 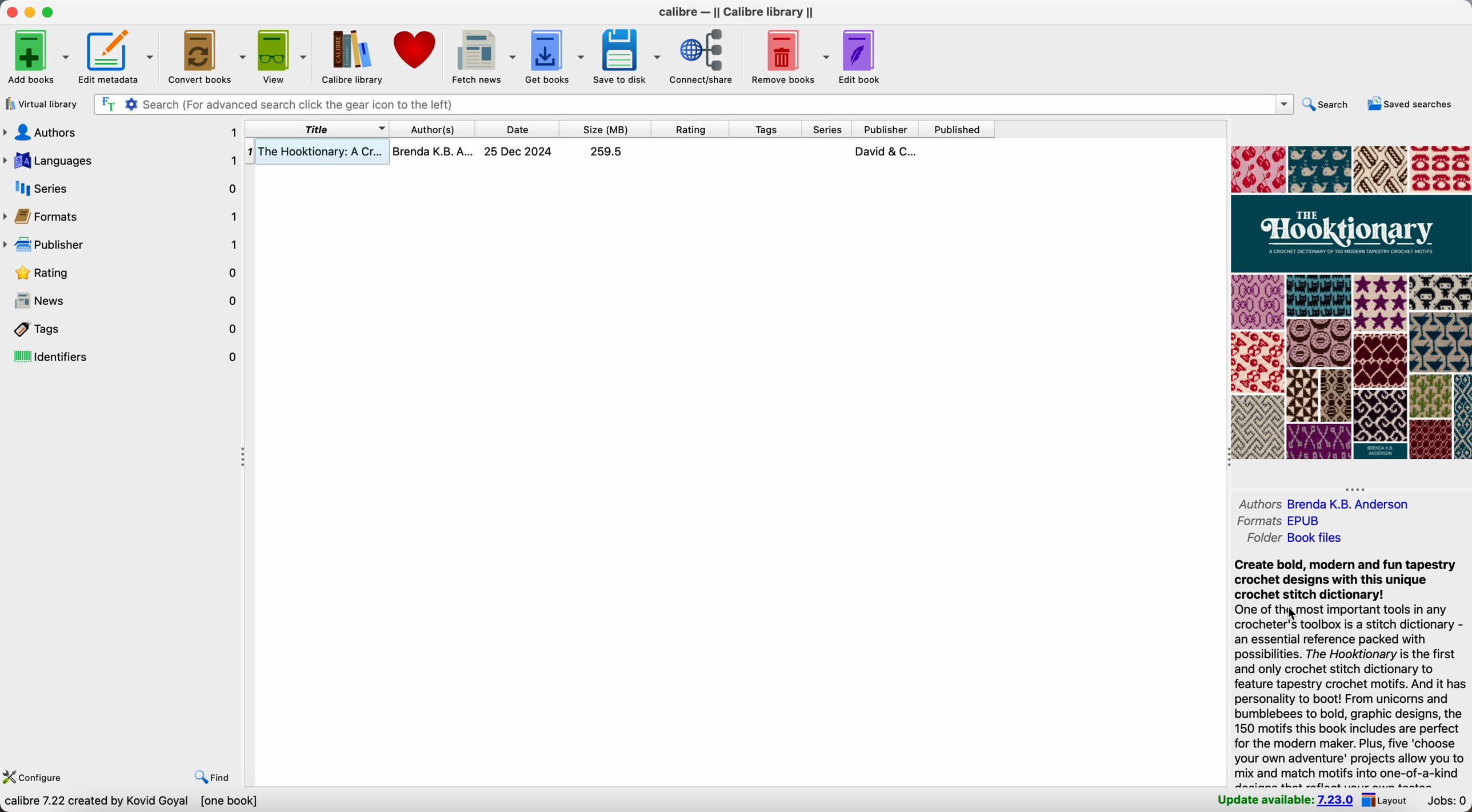 What do you see at coordinates (117, 57) in the screenshot?
I see `edit metadata` at bounding box center [117, 57].